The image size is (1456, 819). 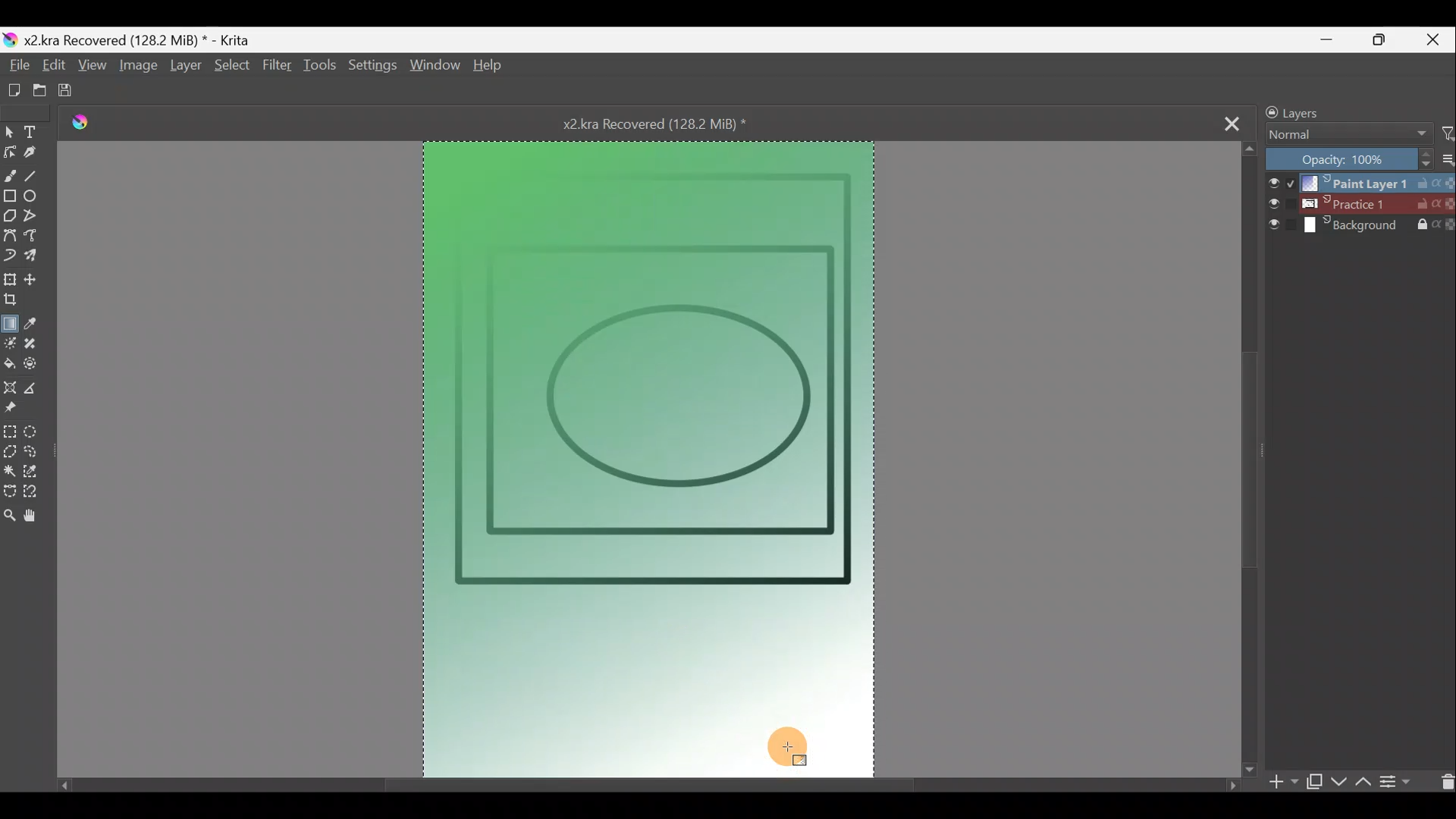 I want to click on View, so click(x=93, y=69).